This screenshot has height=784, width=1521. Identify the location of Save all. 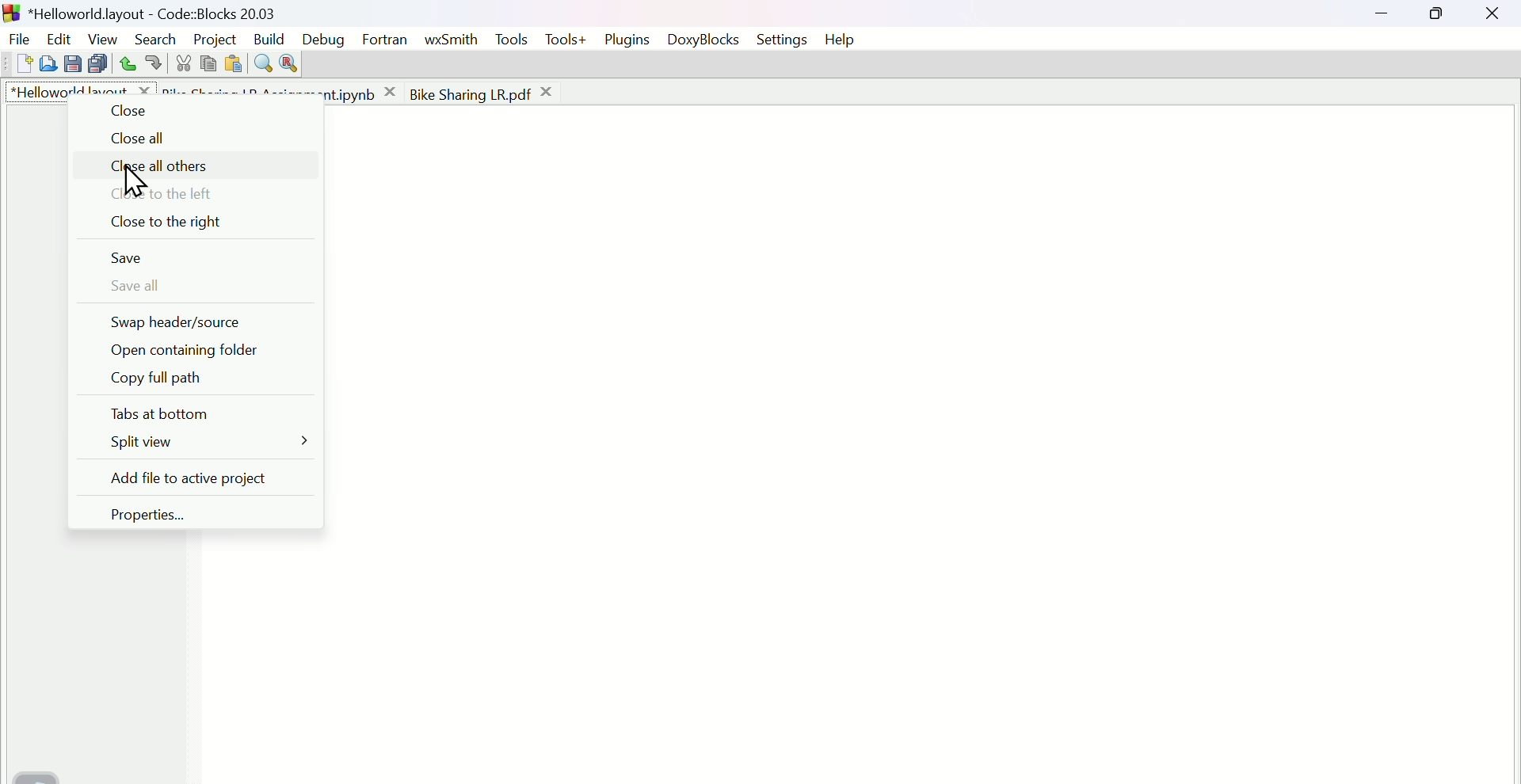
(96, 63).